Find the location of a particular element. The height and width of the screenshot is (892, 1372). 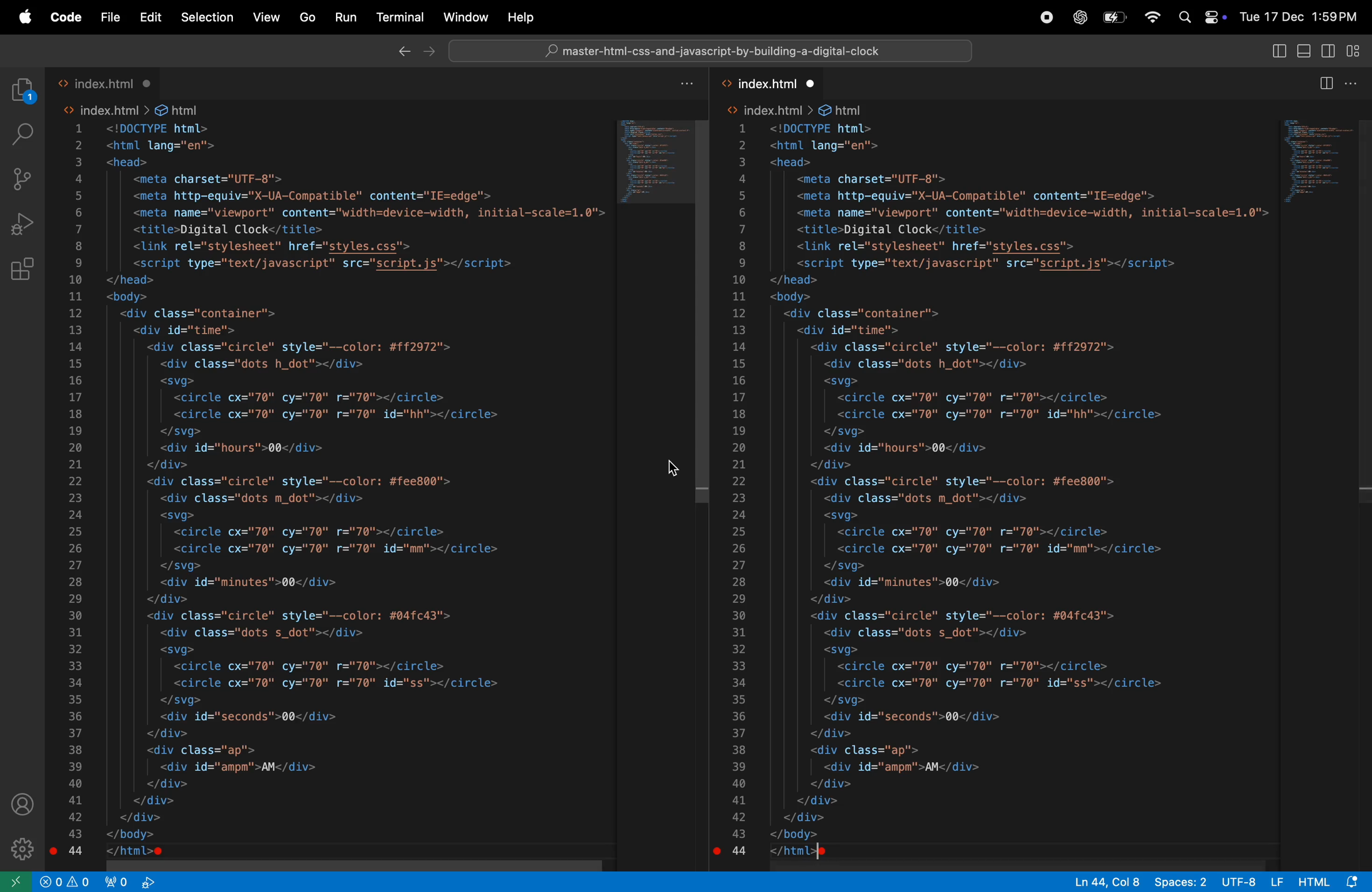

line index is located at coordinates (78, 490).